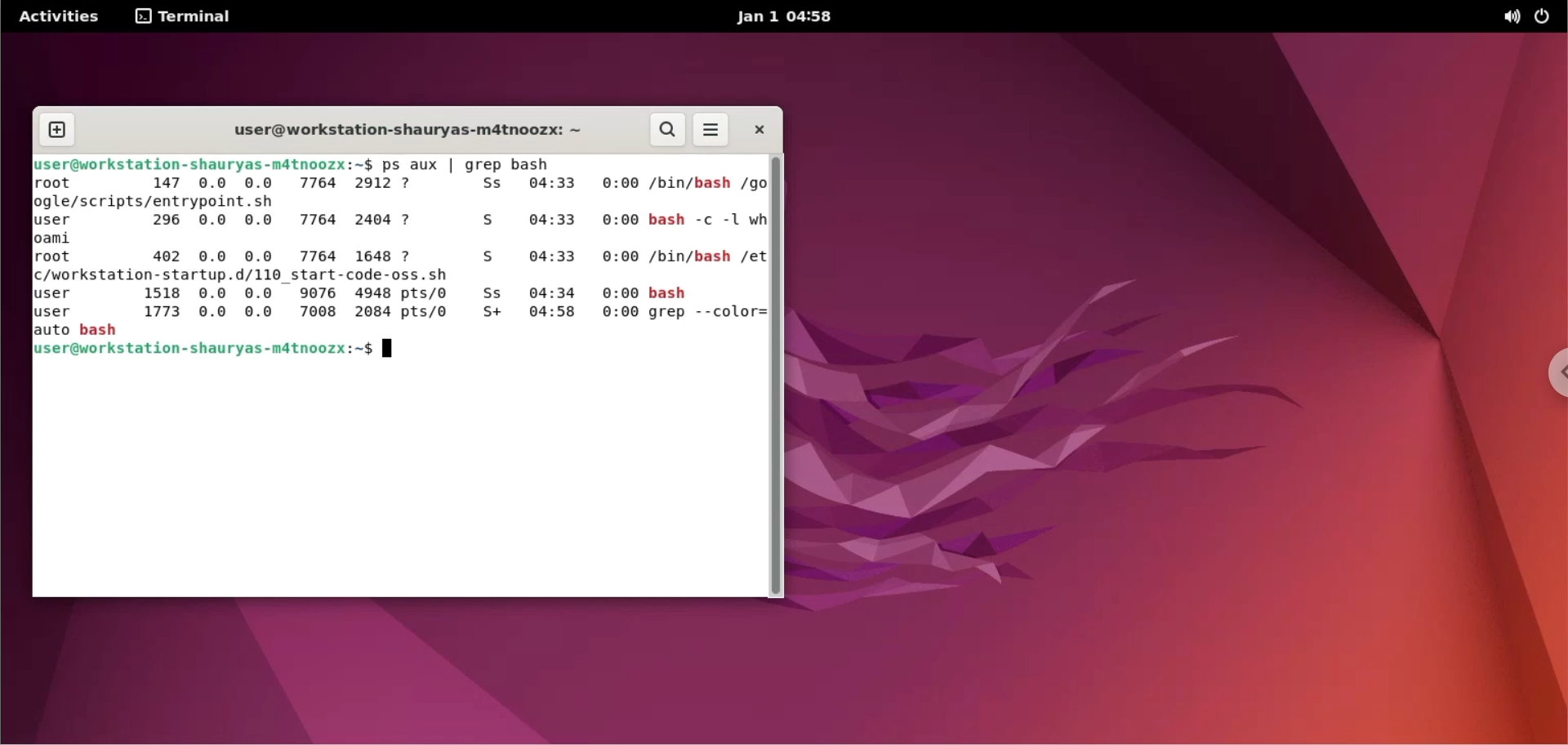 The image size is (1568, 745). What do you see at coordinates (55, 130) in the screenshot?
I see `new tab` at bounding box center [55, 130].